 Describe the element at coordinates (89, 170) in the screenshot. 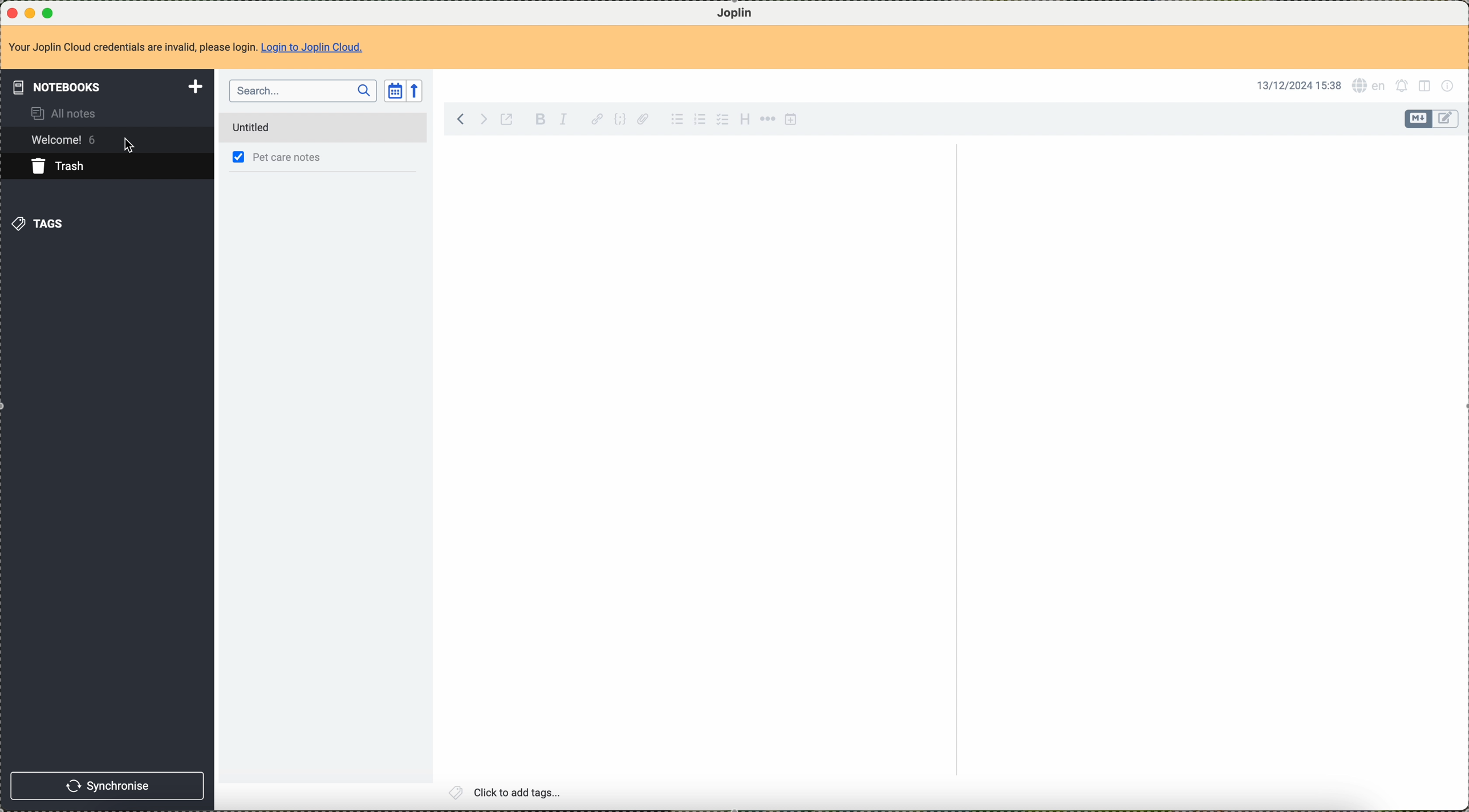

I see `click on trash` at that location.